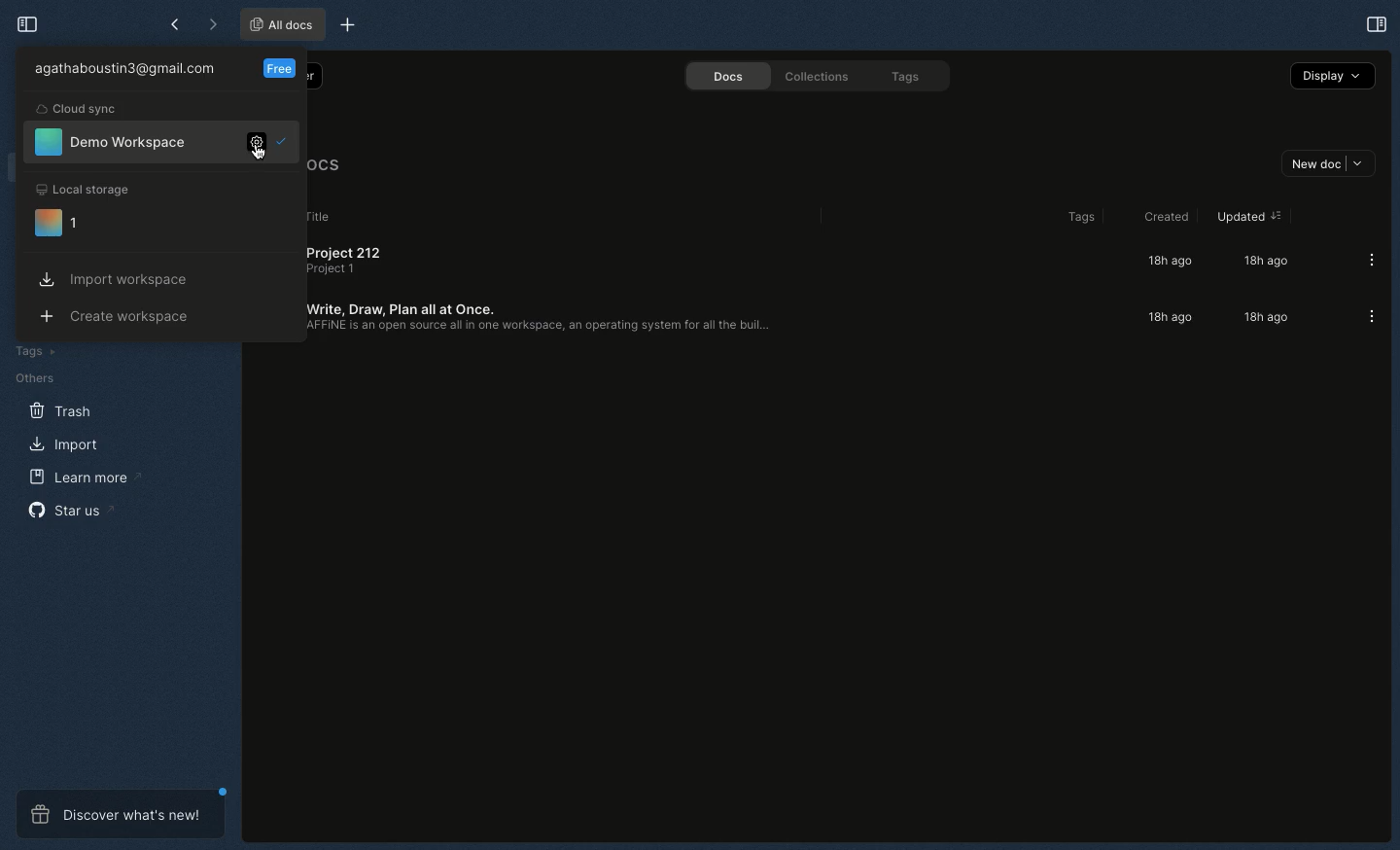 This screenshot has width=1400, height=850. Describe the element at coordinates (32, 378) in the screenshot. I see `Others` at that location.